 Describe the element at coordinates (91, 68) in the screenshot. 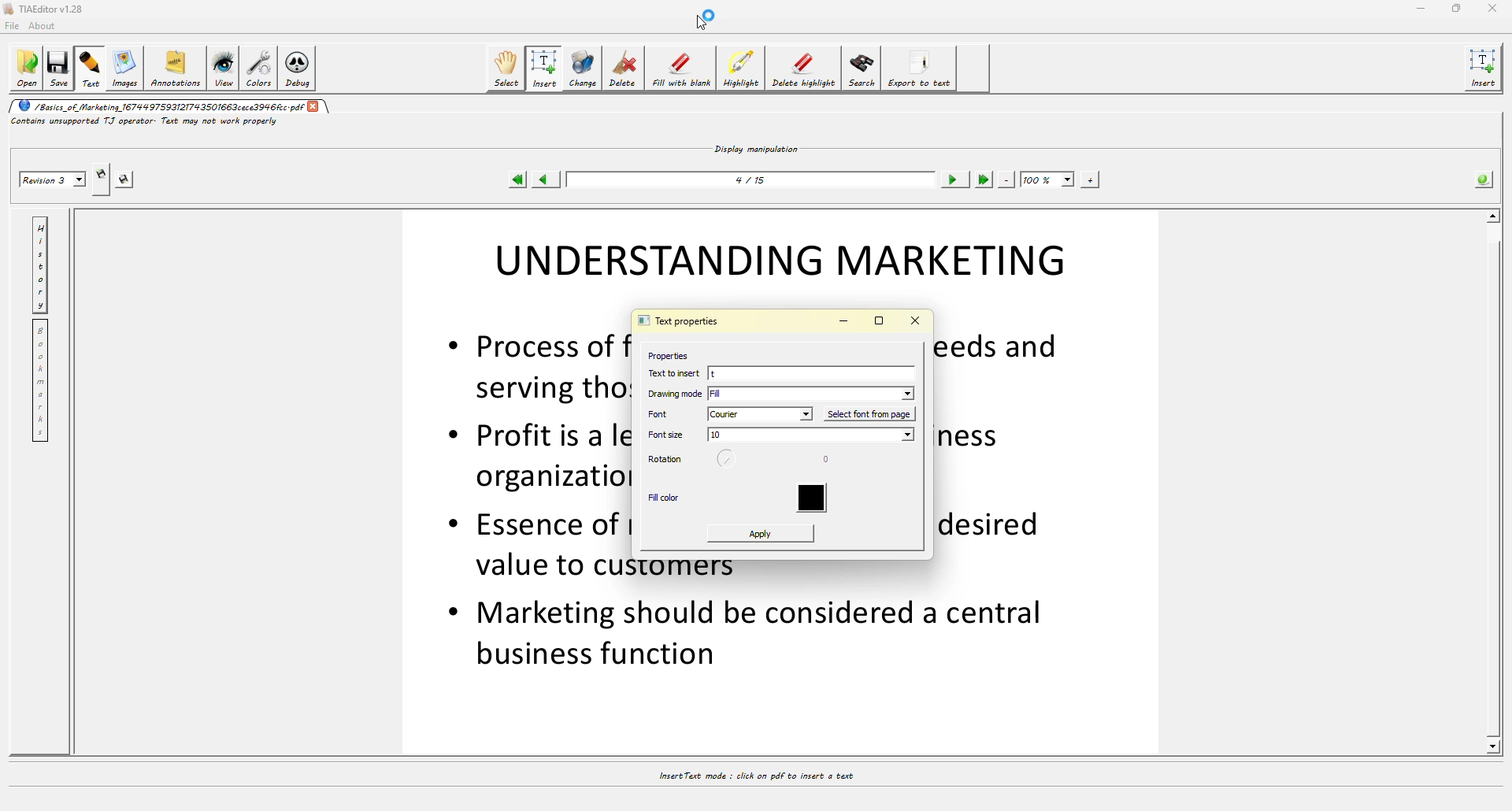

I see `text` at that location.